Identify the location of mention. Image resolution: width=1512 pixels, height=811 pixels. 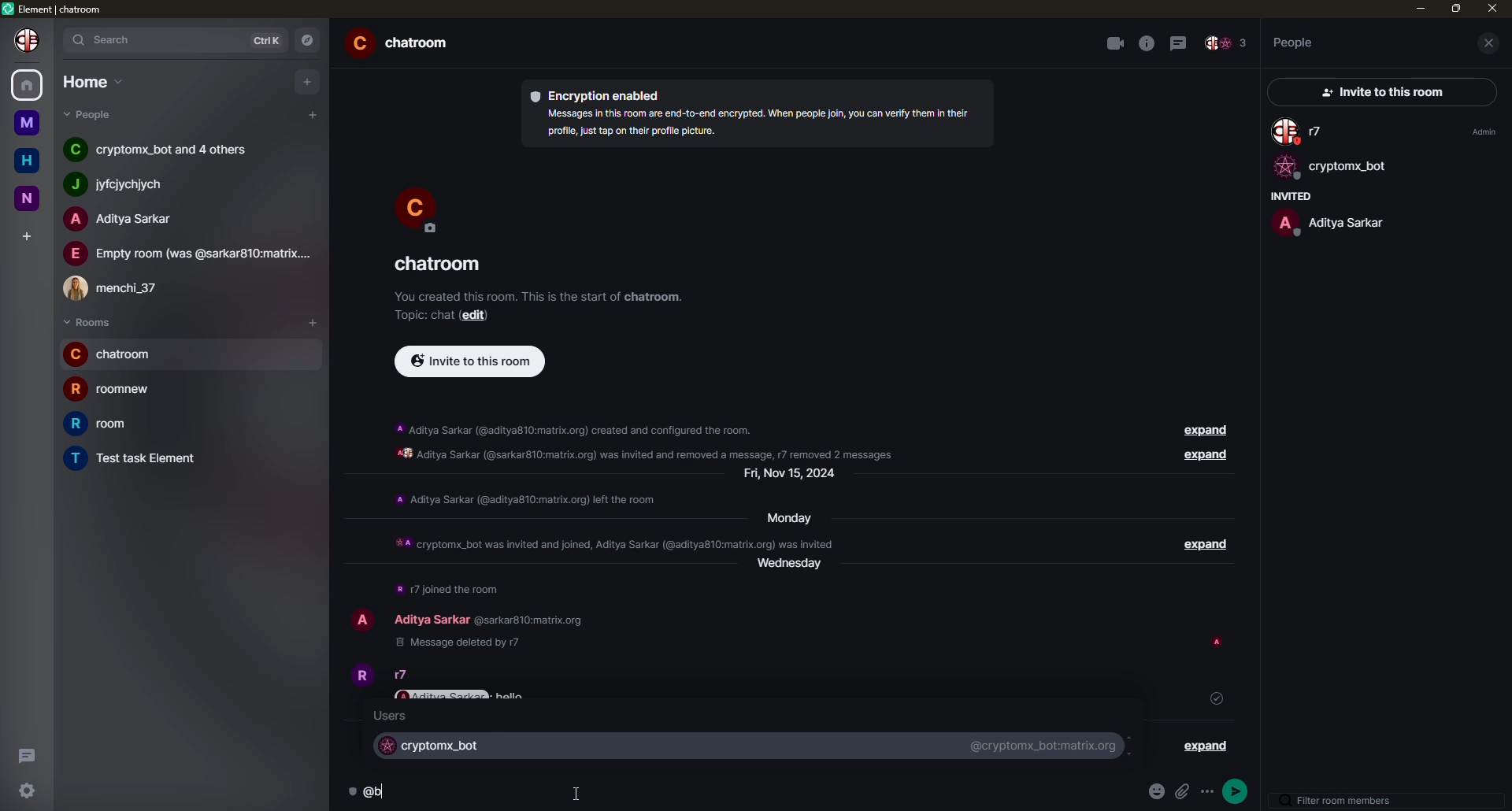
(443, 697).